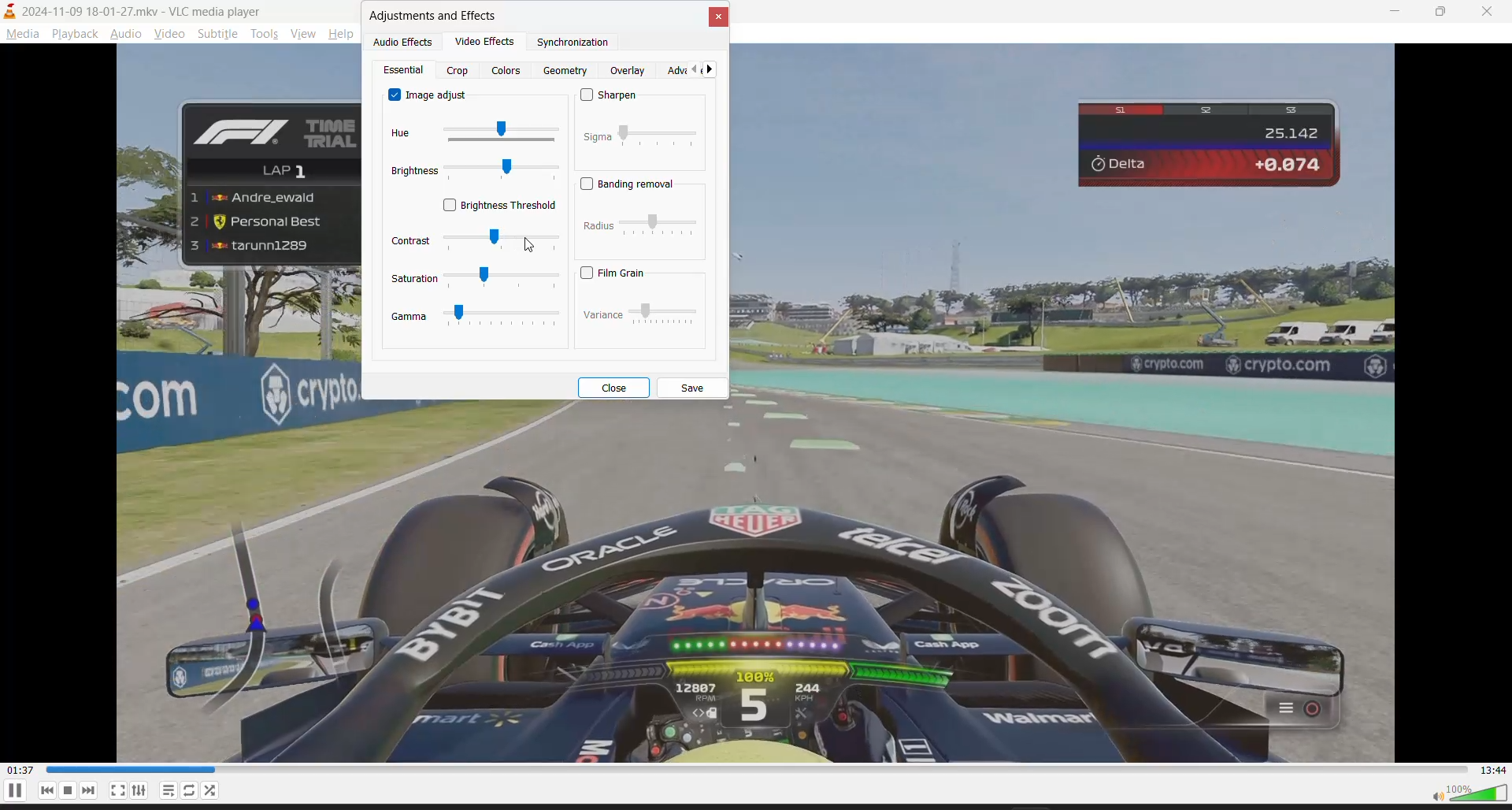 The image size is (1512, 810). Describe the element at coordinates (476, 321) in the screenshot. I see `gamma` at that location.